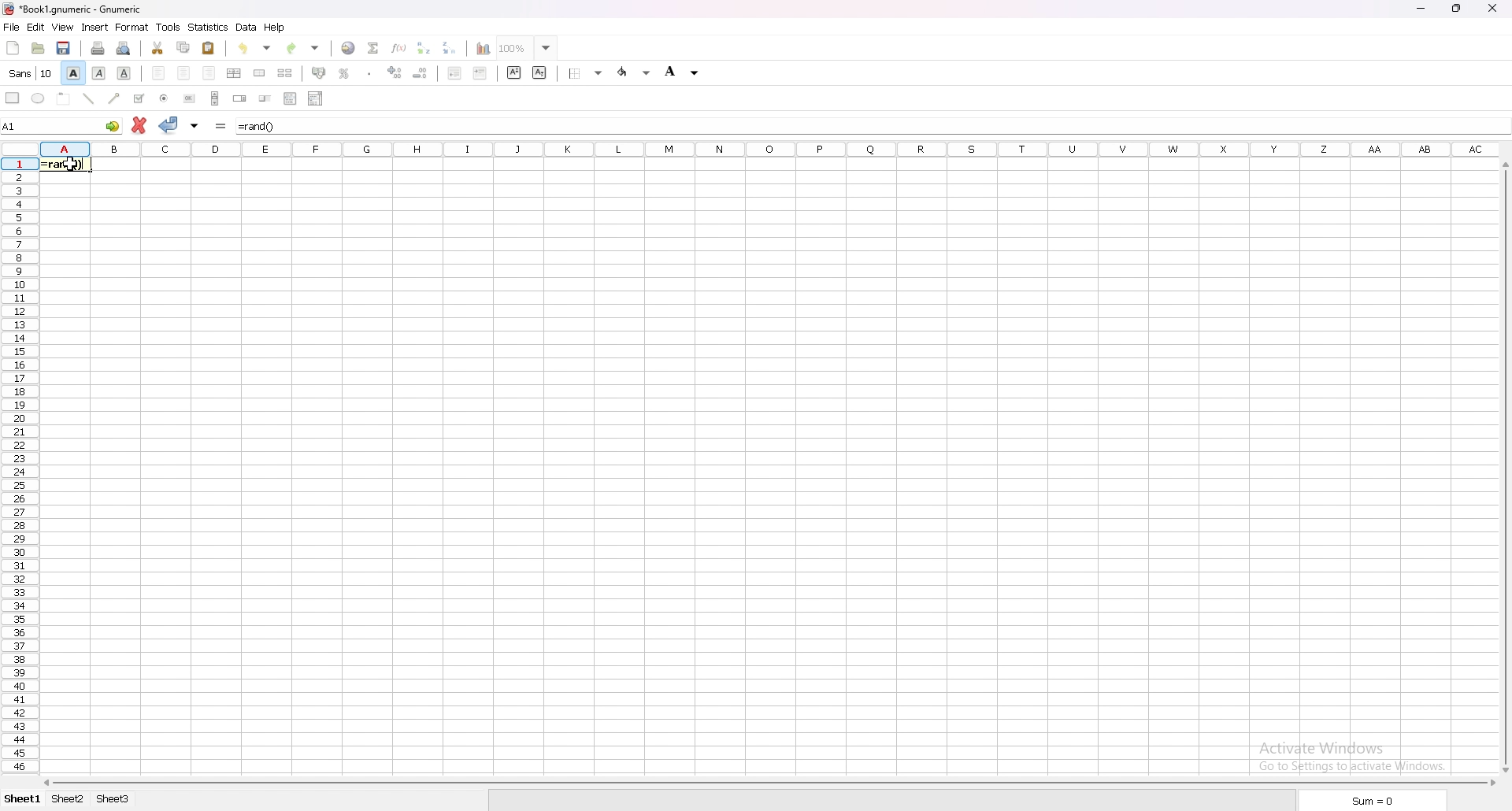  What do you see at coordinates (124, 48) in the screenshot?
I see `print preview` at bounding box center [124, 48].